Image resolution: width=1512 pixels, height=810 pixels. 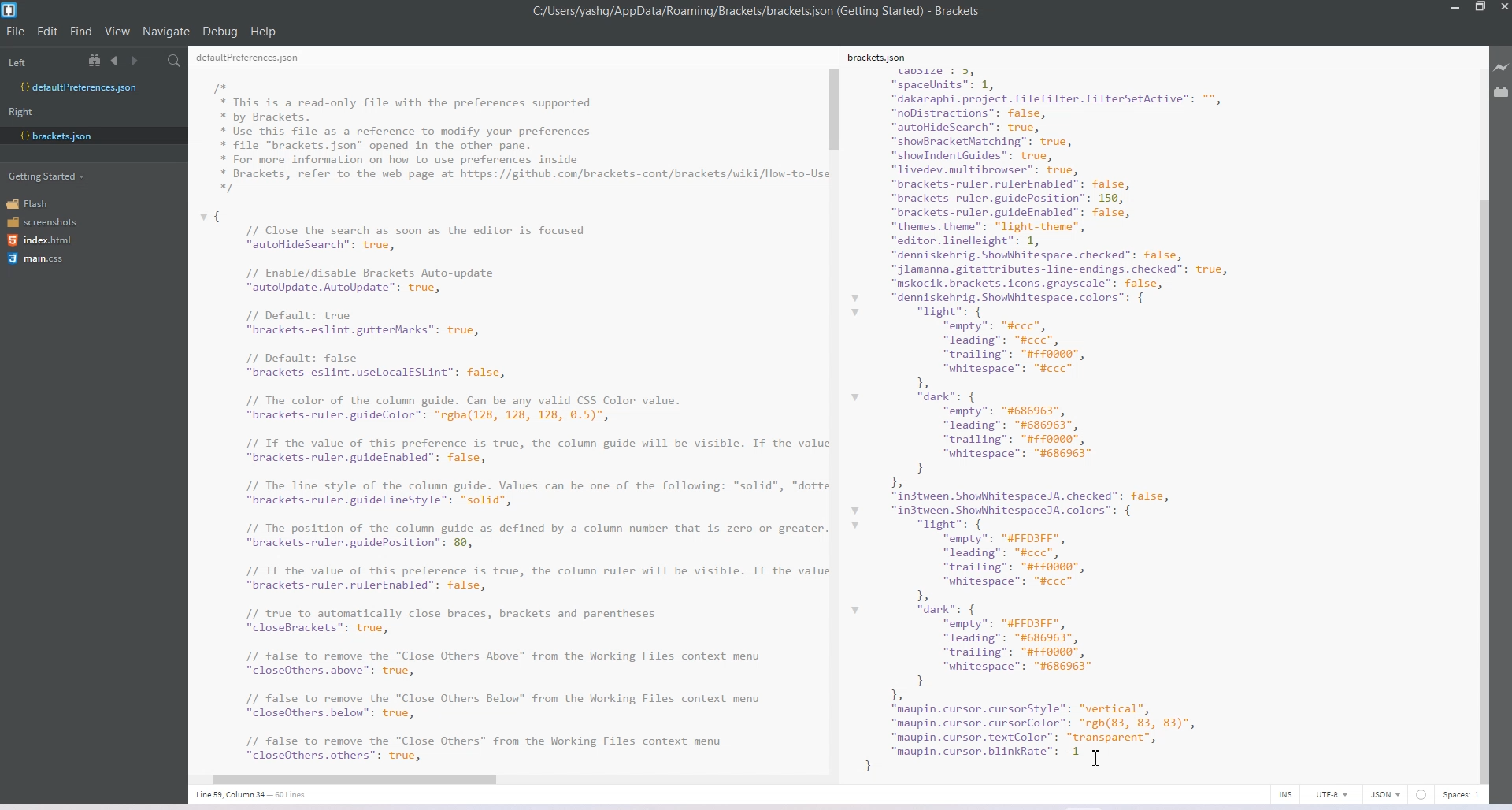 I want to click on Help, so click(x=269, y=29).